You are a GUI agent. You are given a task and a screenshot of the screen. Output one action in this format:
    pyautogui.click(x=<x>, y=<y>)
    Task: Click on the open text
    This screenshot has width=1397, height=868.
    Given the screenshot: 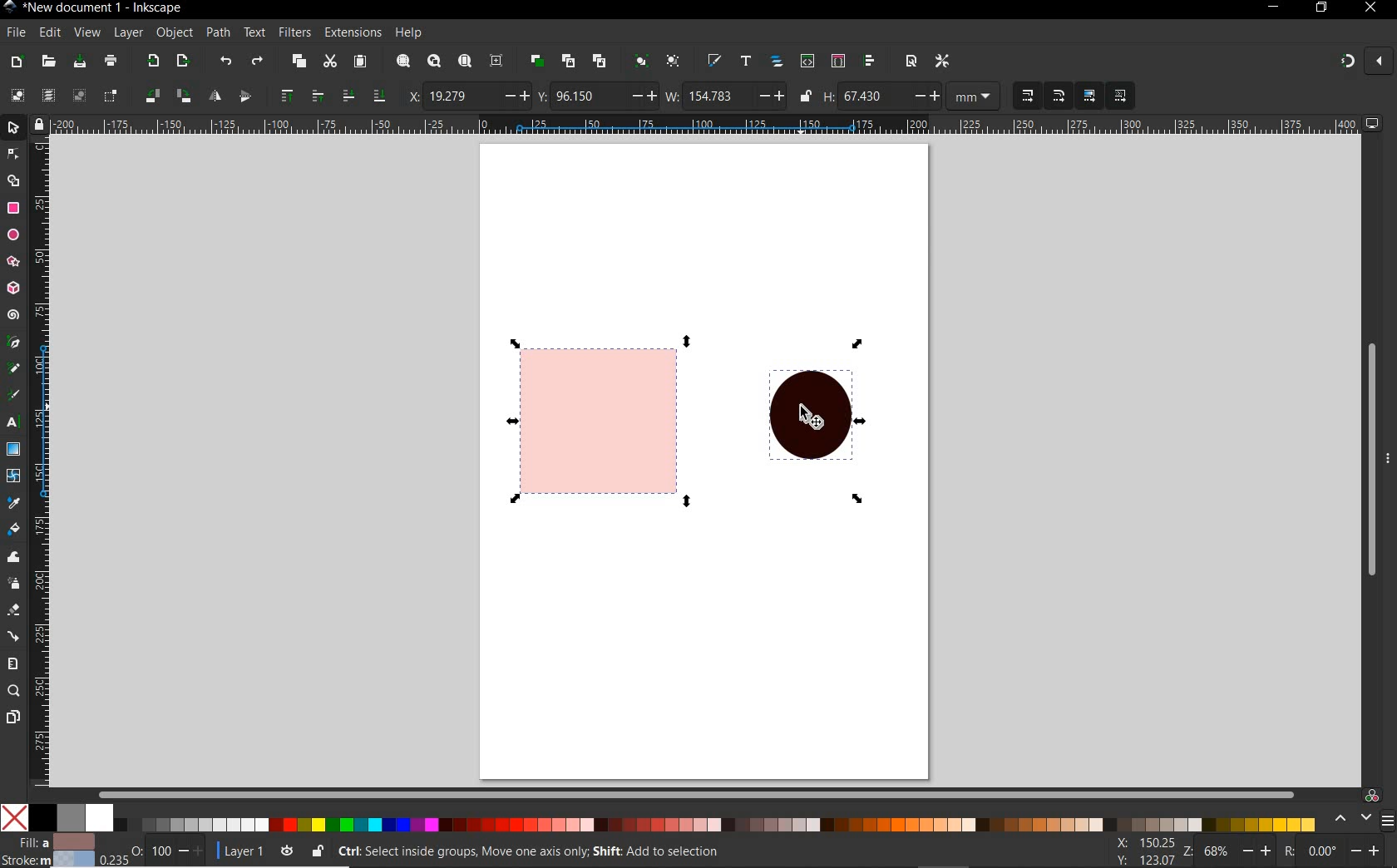 What is the action you would take?
    pyautogui.click(x=747, y=62)
    